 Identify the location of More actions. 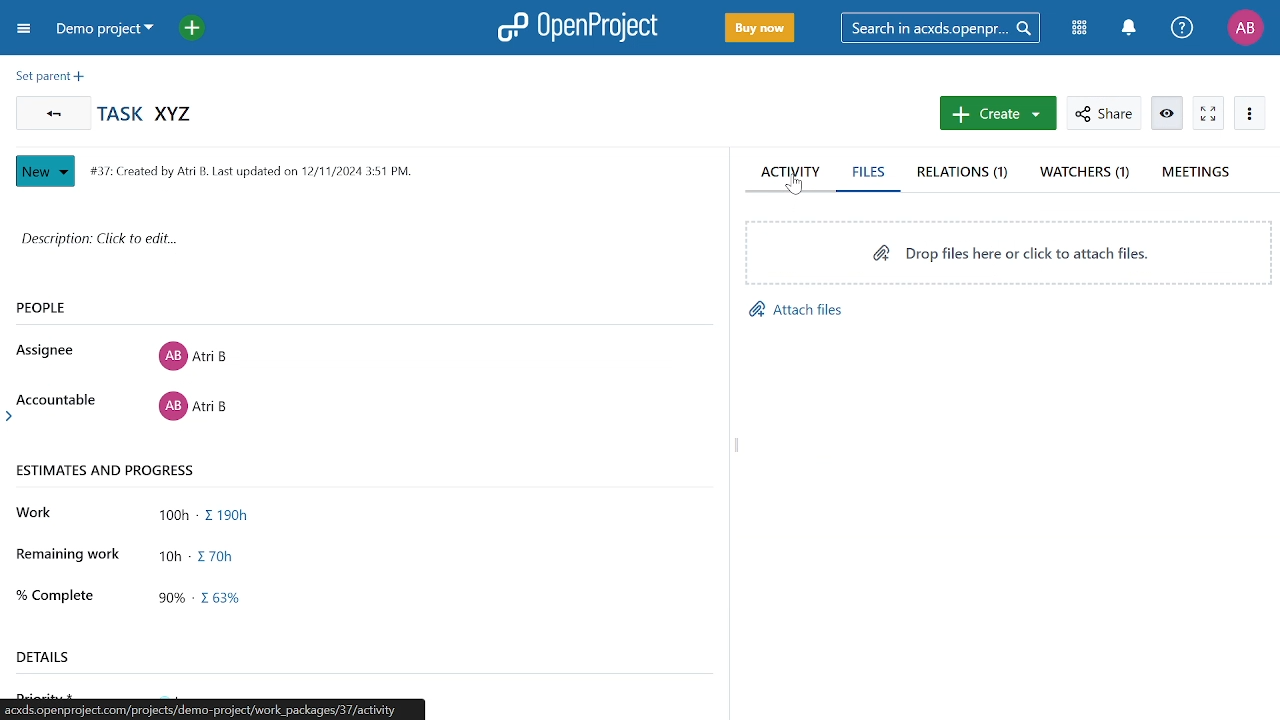
(1250, 113).